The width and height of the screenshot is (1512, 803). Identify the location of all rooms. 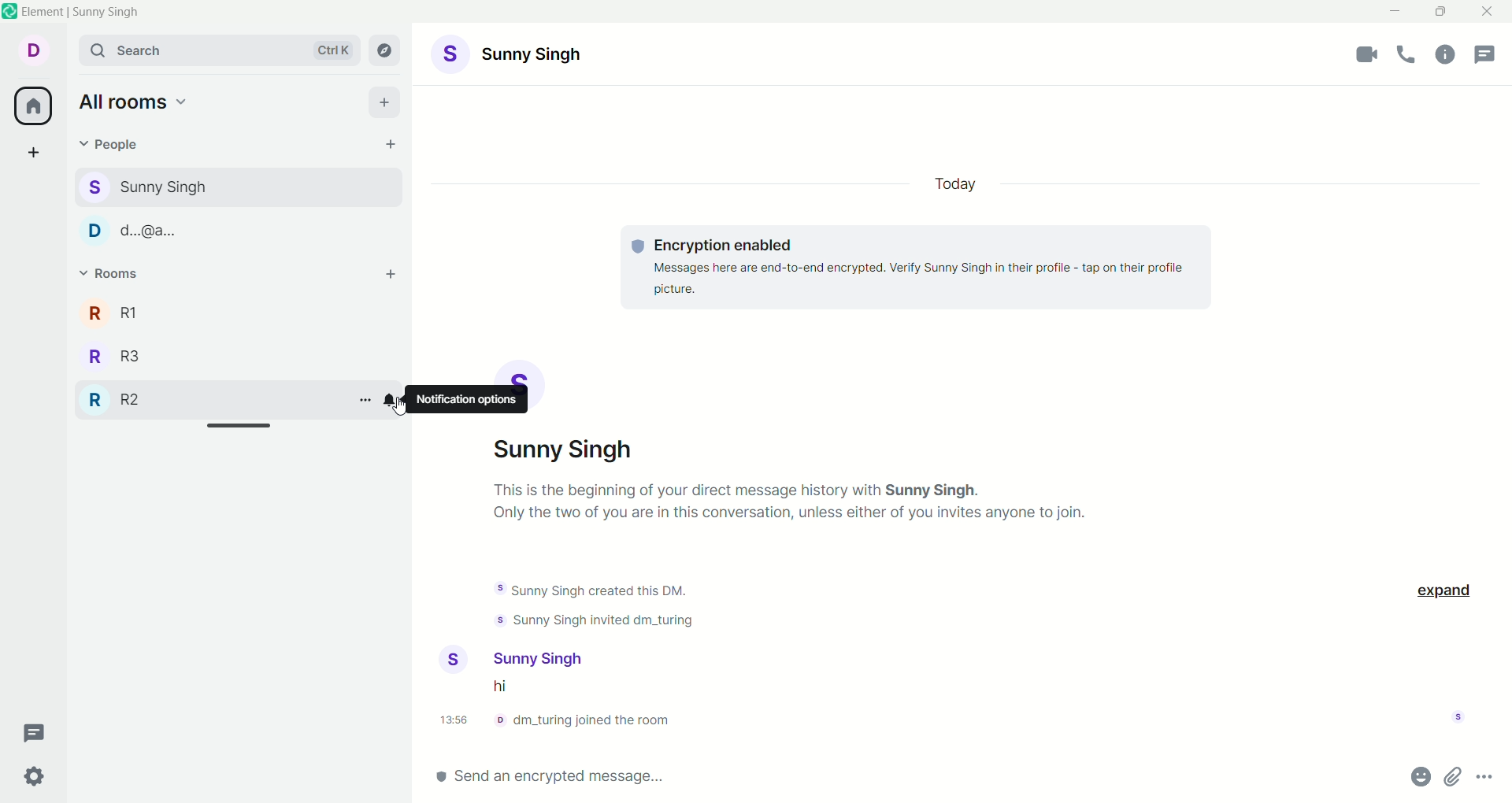
(135, 100).